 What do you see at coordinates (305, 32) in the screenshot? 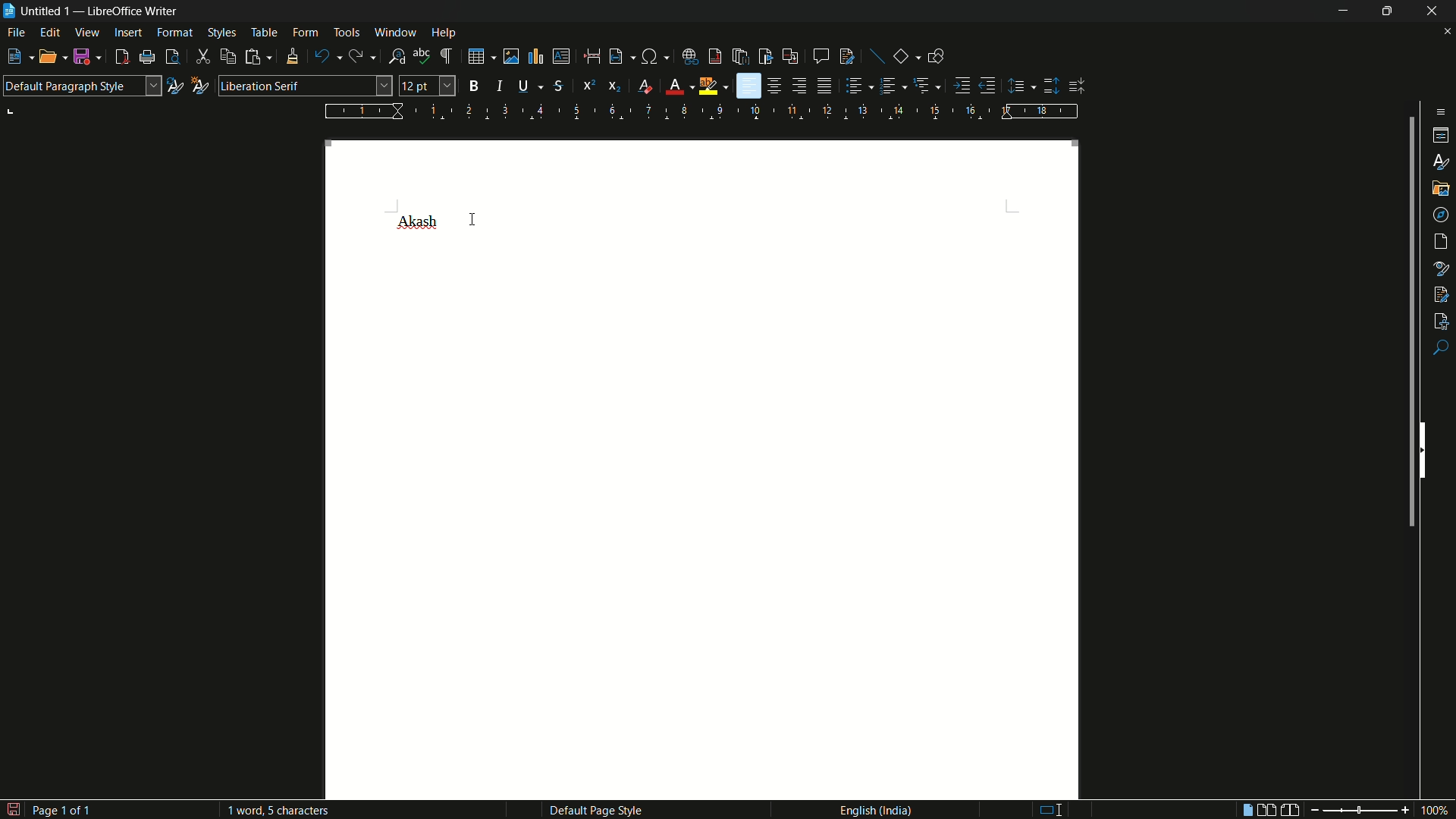
I see `form menu` at bounding box center [305, 32].